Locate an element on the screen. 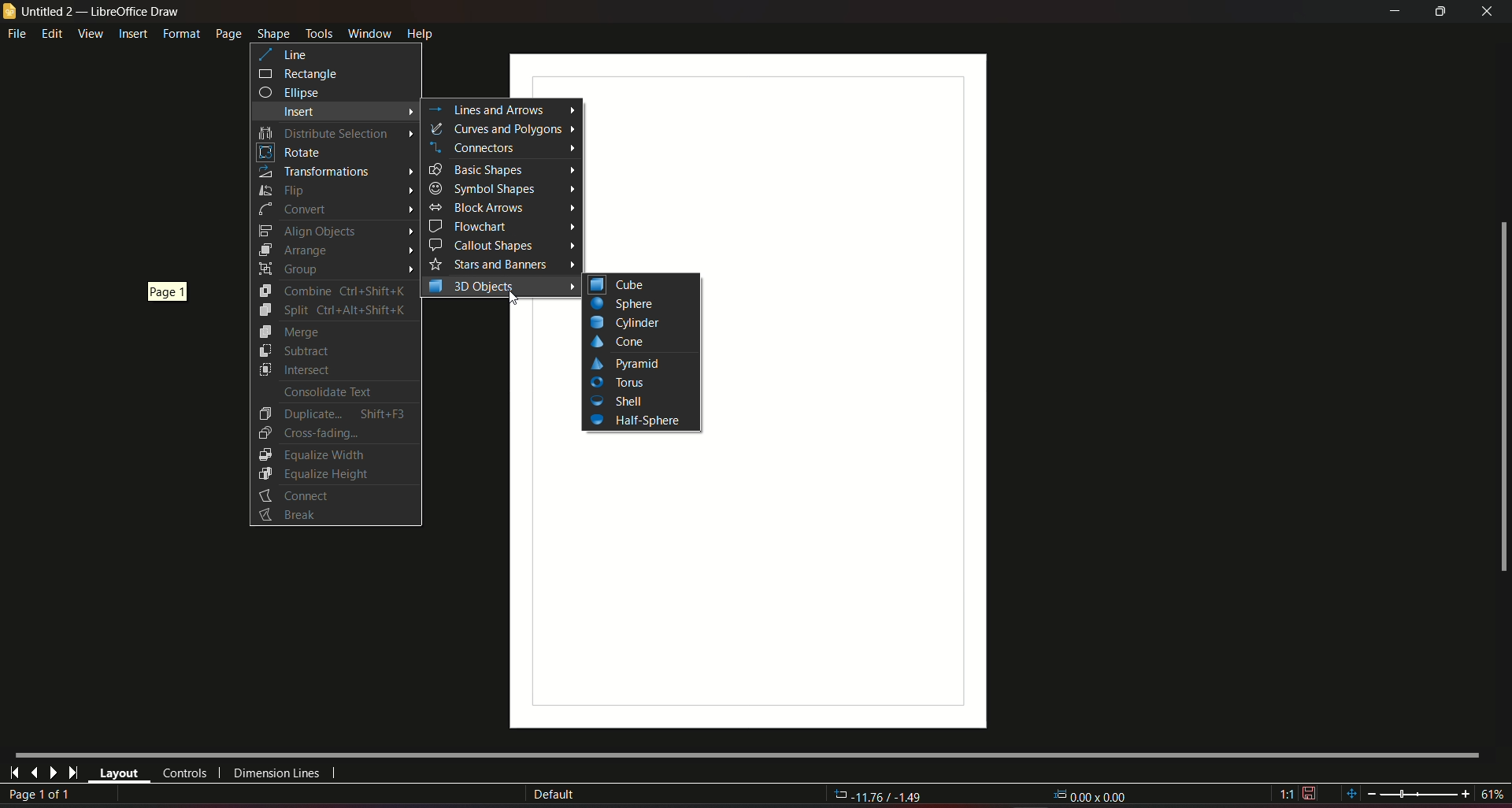 The image size is (1512, 808). Arrow is located at coordinates (571, 245).